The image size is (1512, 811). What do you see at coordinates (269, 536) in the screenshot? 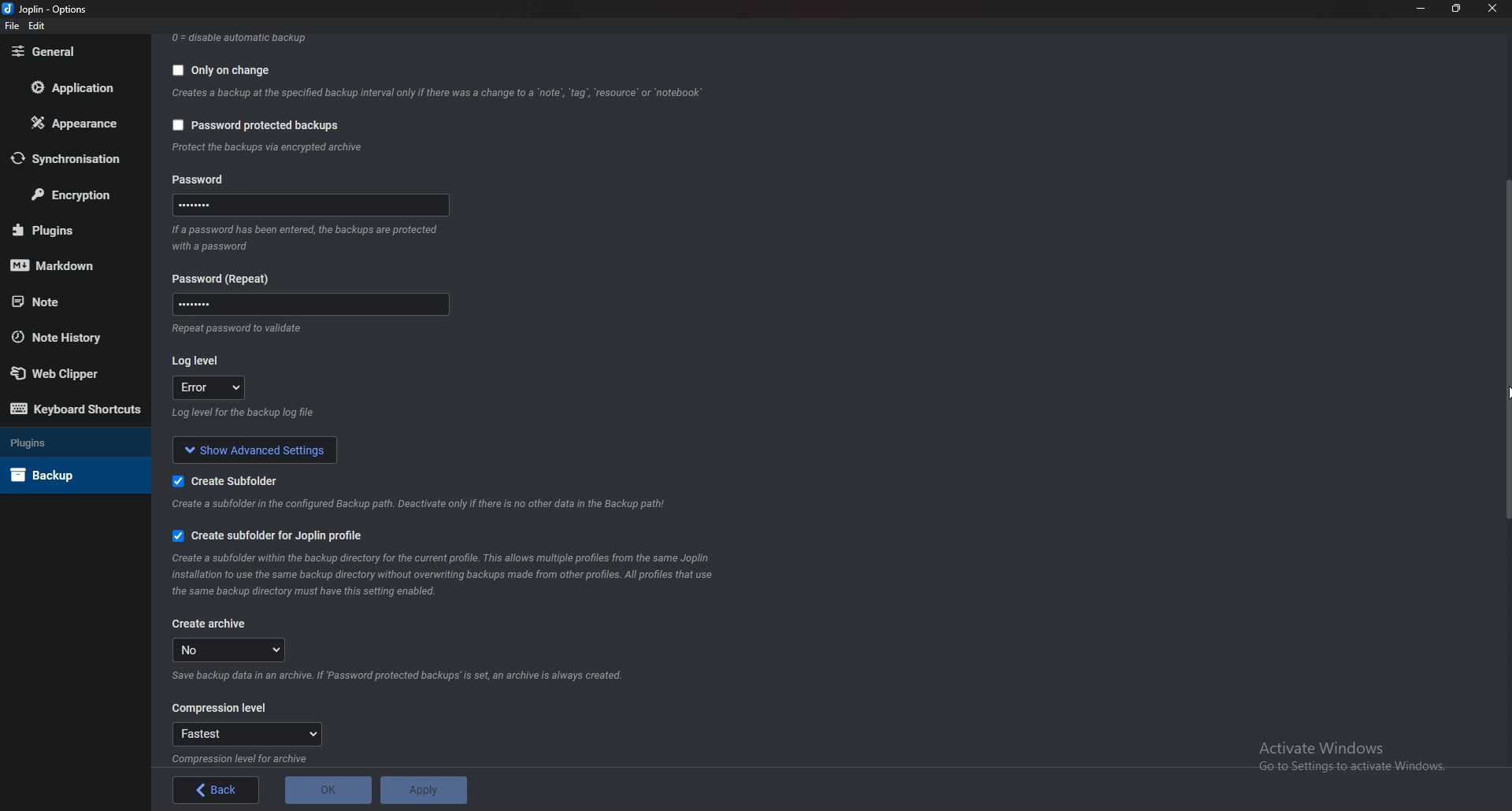
I see `Create subfolder for Joplin profile` at bounding box center [269, 536].